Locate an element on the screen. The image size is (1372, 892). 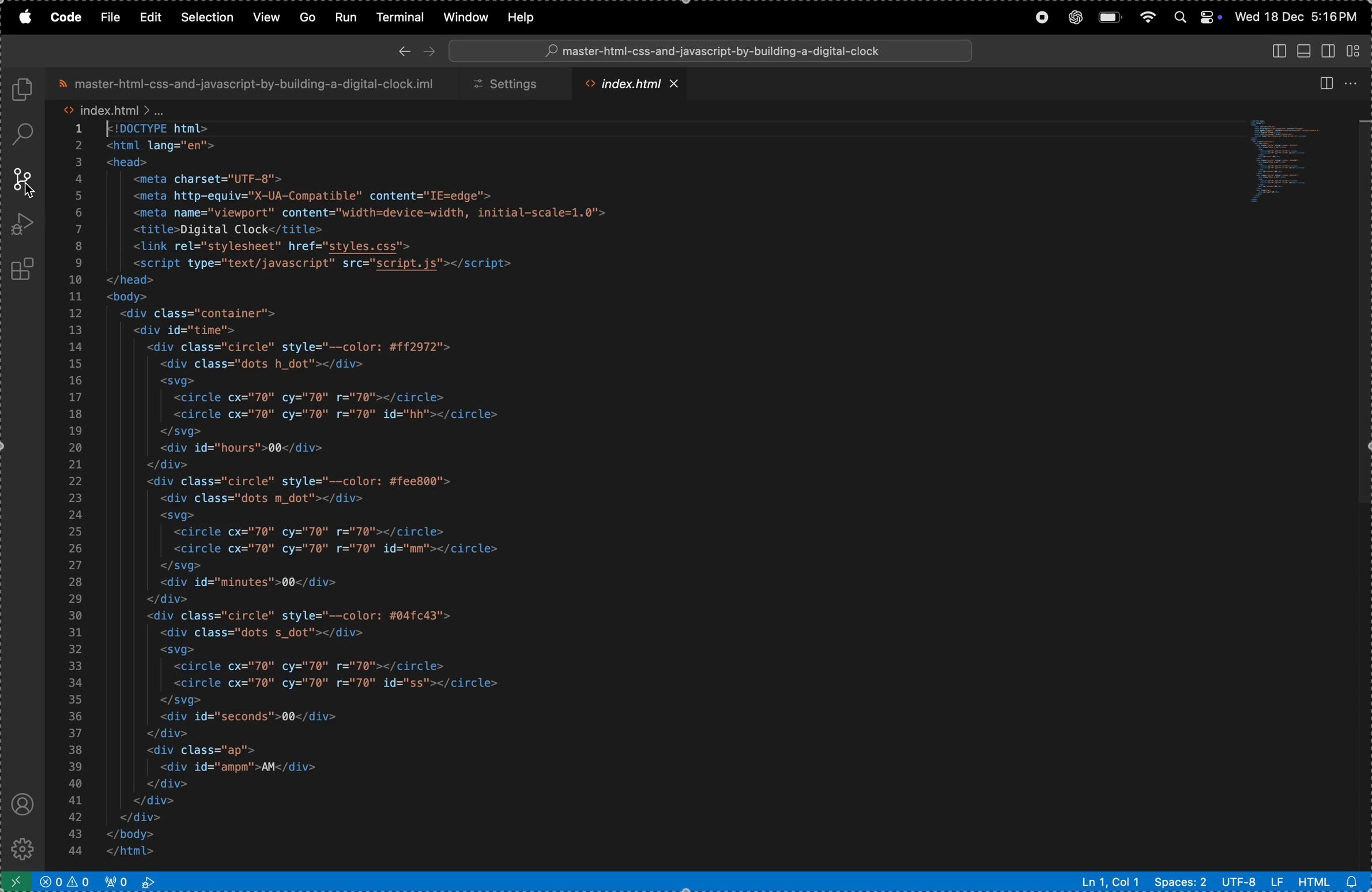
<title>Digital Clock</title> is located at coordinates (223, 228).